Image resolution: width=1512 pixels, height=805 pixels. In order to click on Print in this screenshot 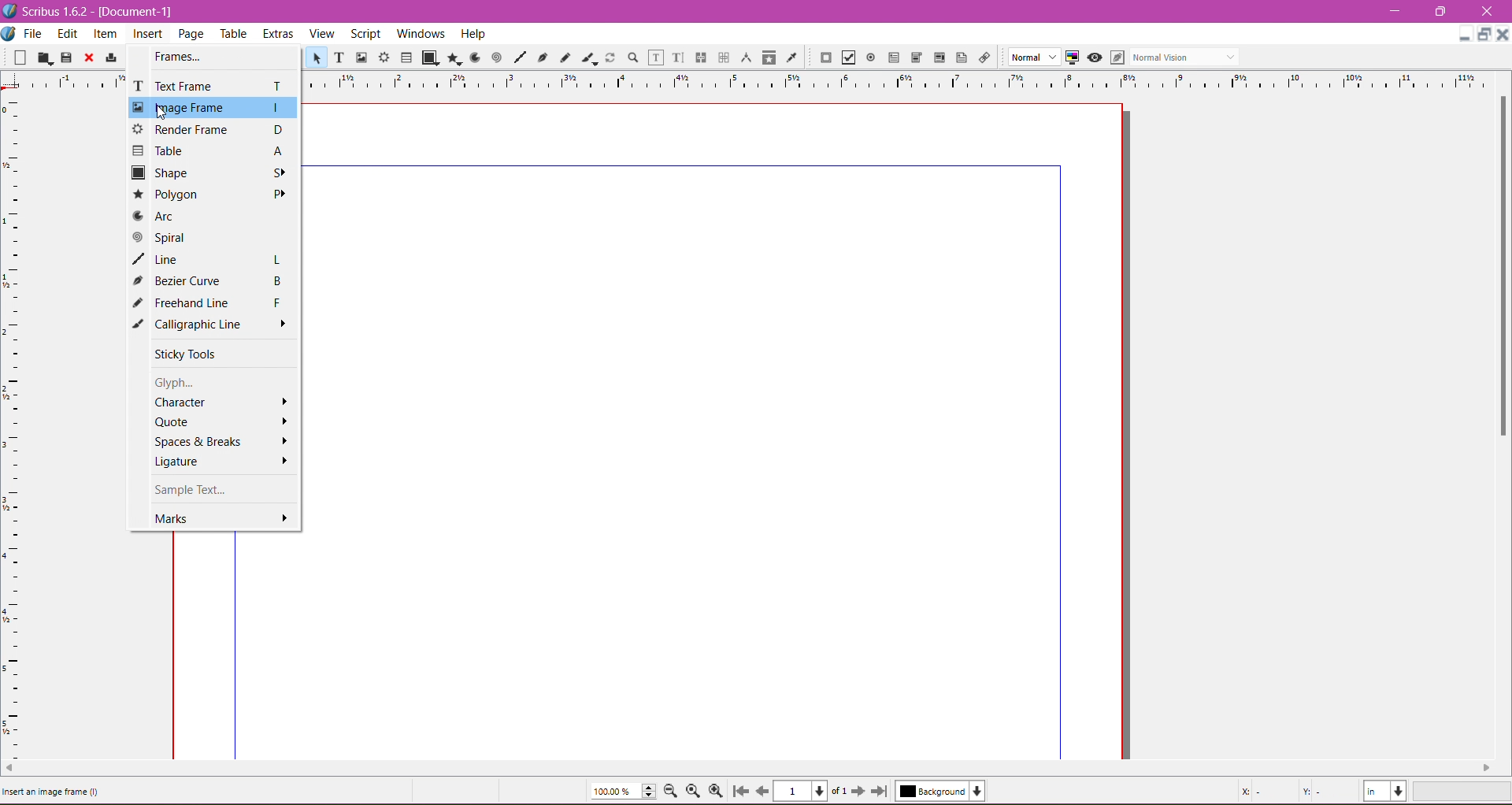, I will do `click(110, 57)`.